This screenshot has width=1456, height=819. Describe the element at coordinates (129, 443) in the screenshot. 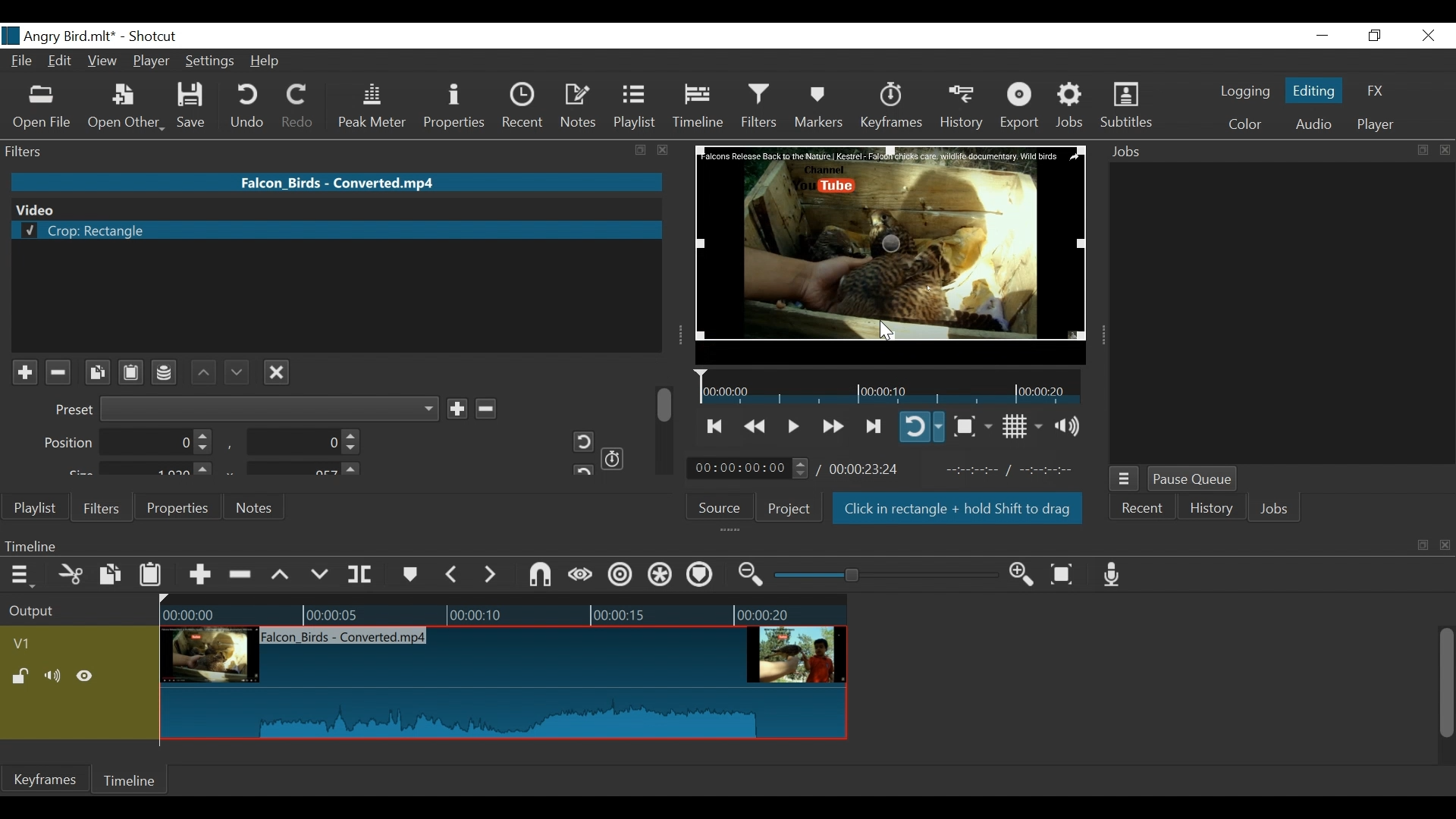

I see `position` at that location.